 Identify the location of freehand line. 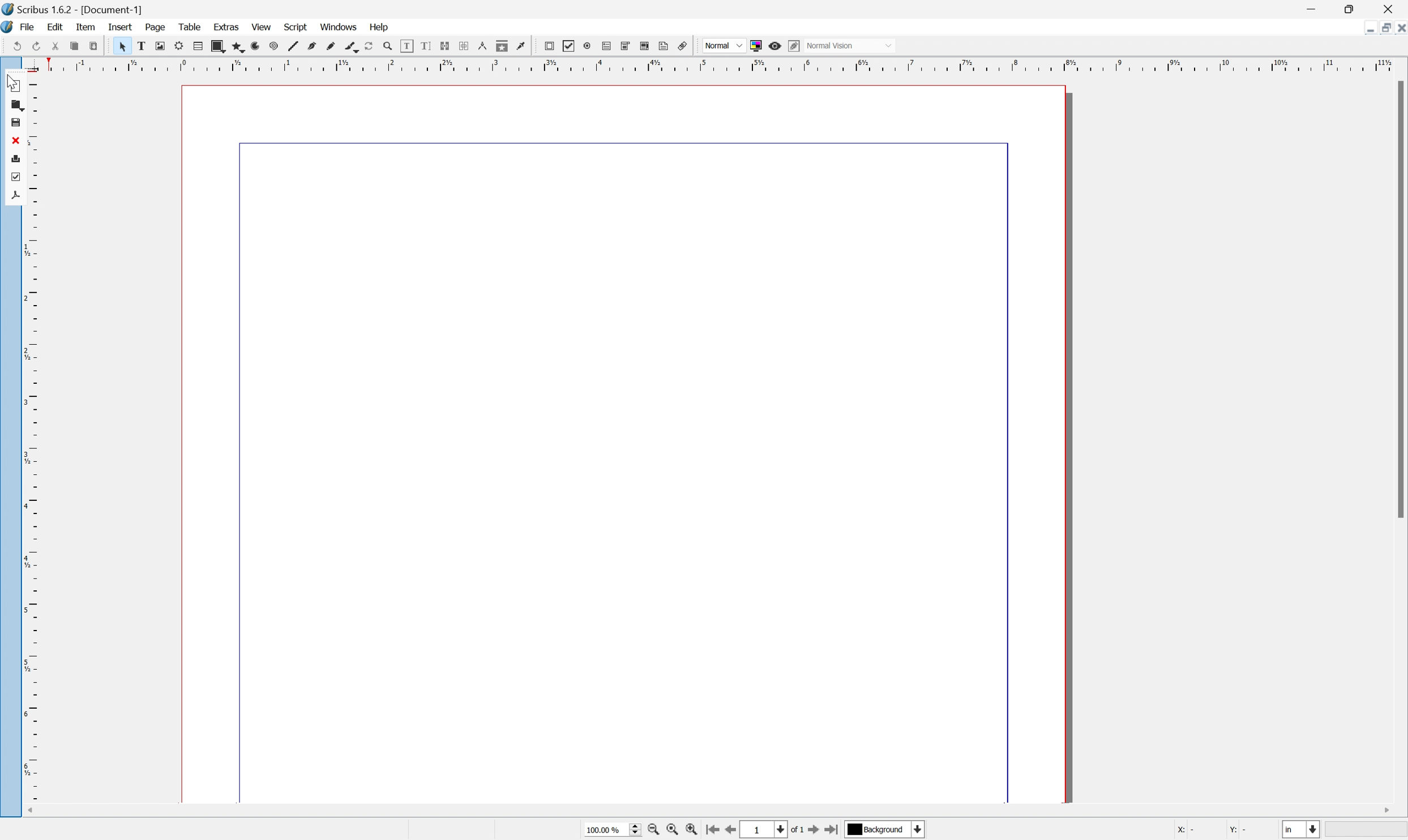
(463, 45).